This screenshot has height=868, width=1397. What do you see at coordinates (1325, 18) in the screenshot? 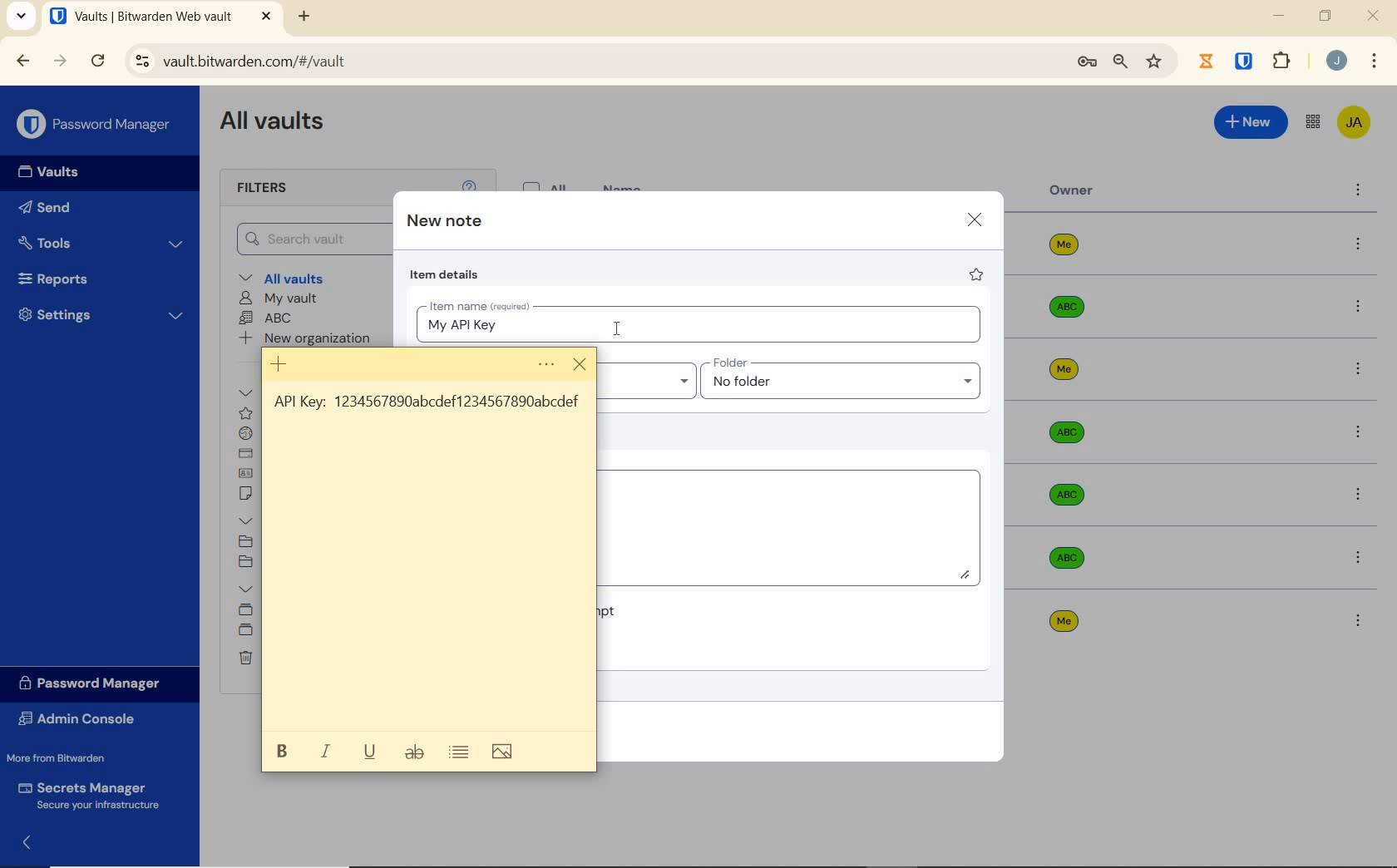
I see `RESTORE` at bounding box center [1325, 18].